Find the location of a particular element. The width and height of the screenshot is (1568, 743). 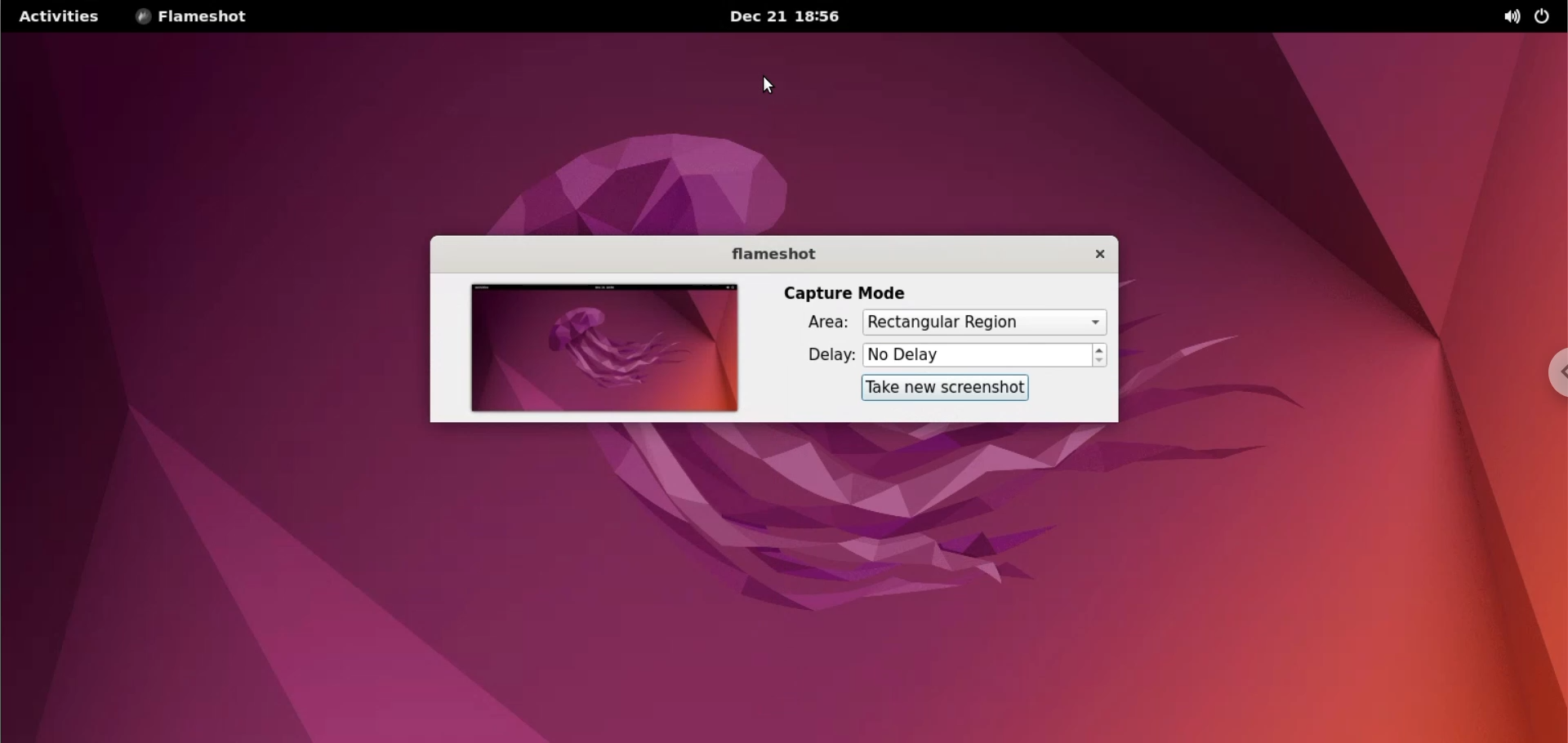

Rectangular Region is located at coordinates (982, 323).